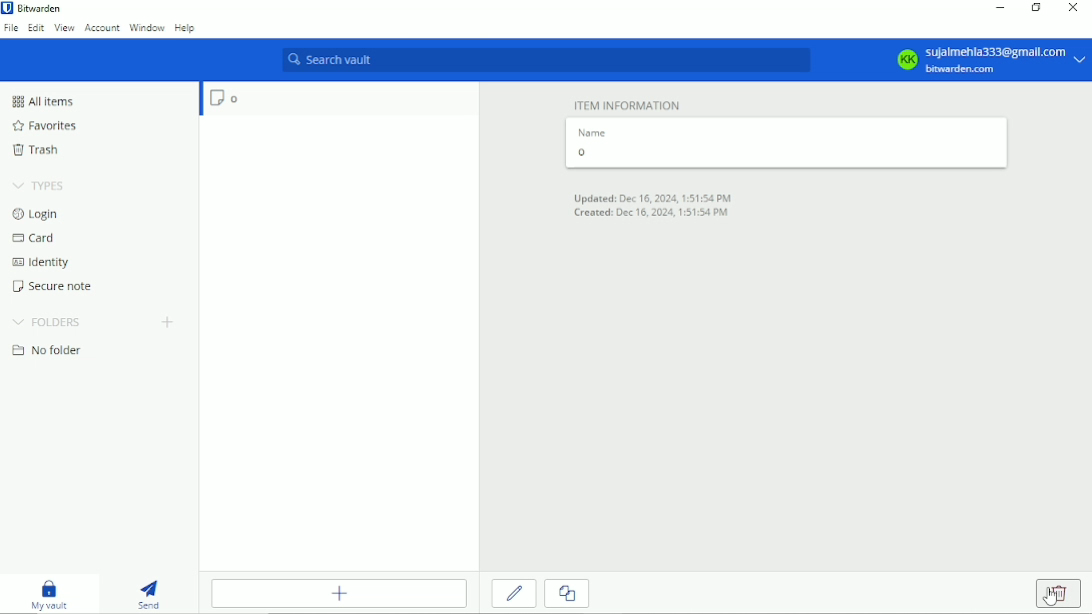 Image resolution: width=1092 pixels, height=614 pixels. I want to click on Window, so click(147, 28).